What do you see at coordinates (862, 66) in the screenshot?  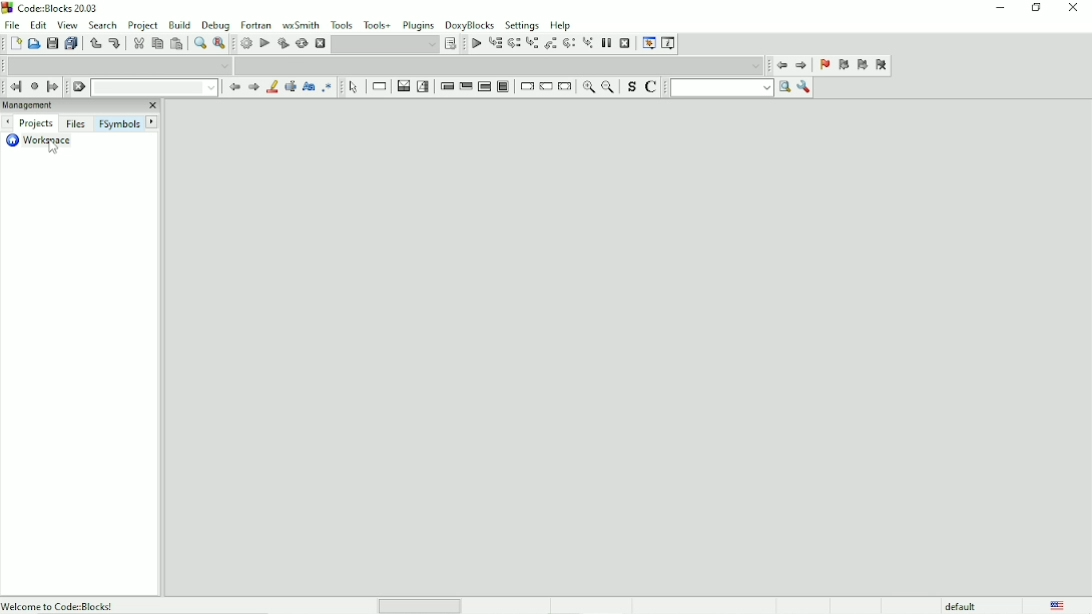 I see `Next bookmark` at bounding box center [862, 66].